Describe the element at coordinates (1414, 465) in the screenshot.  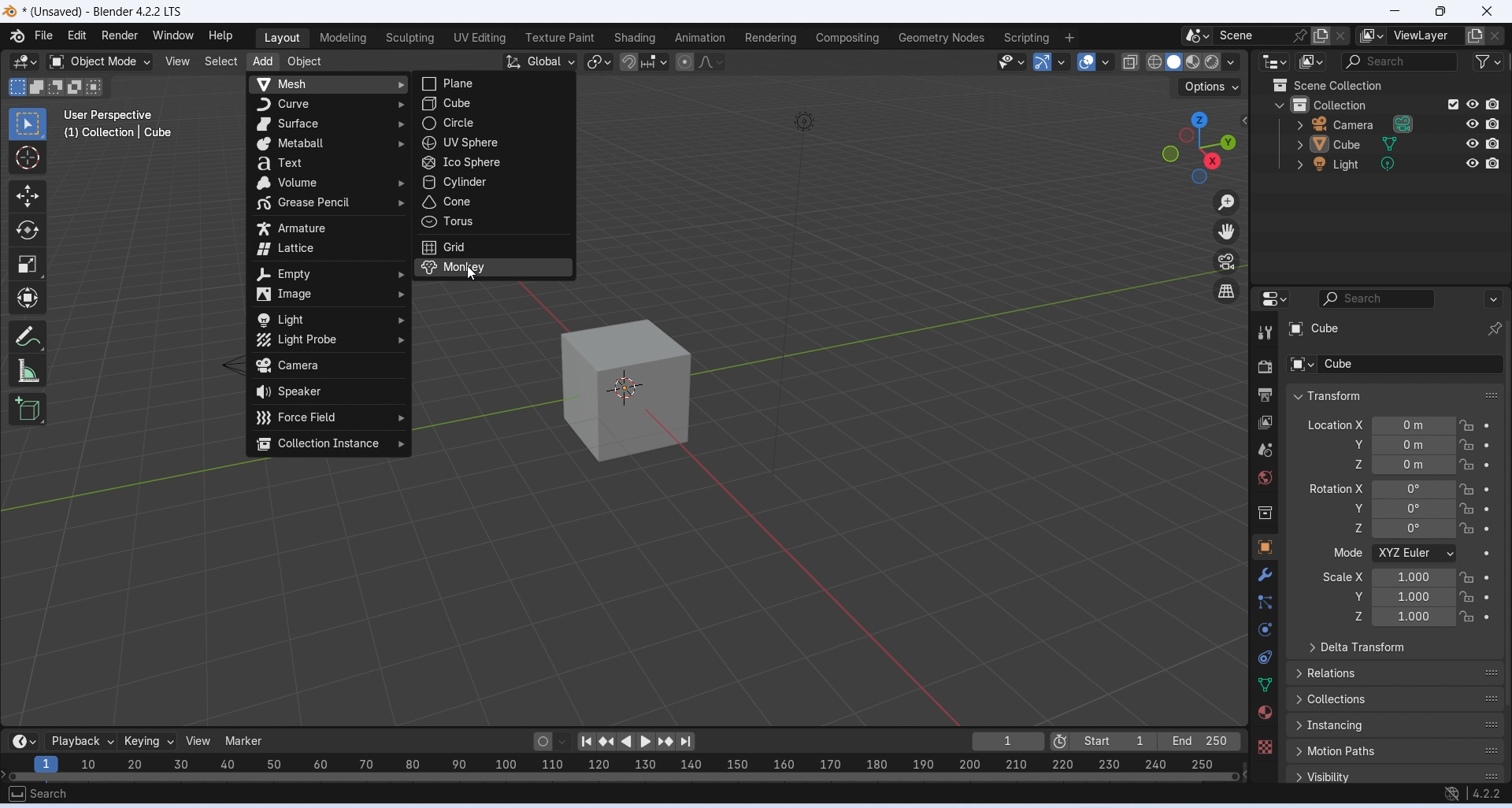
I see `location` at that location.